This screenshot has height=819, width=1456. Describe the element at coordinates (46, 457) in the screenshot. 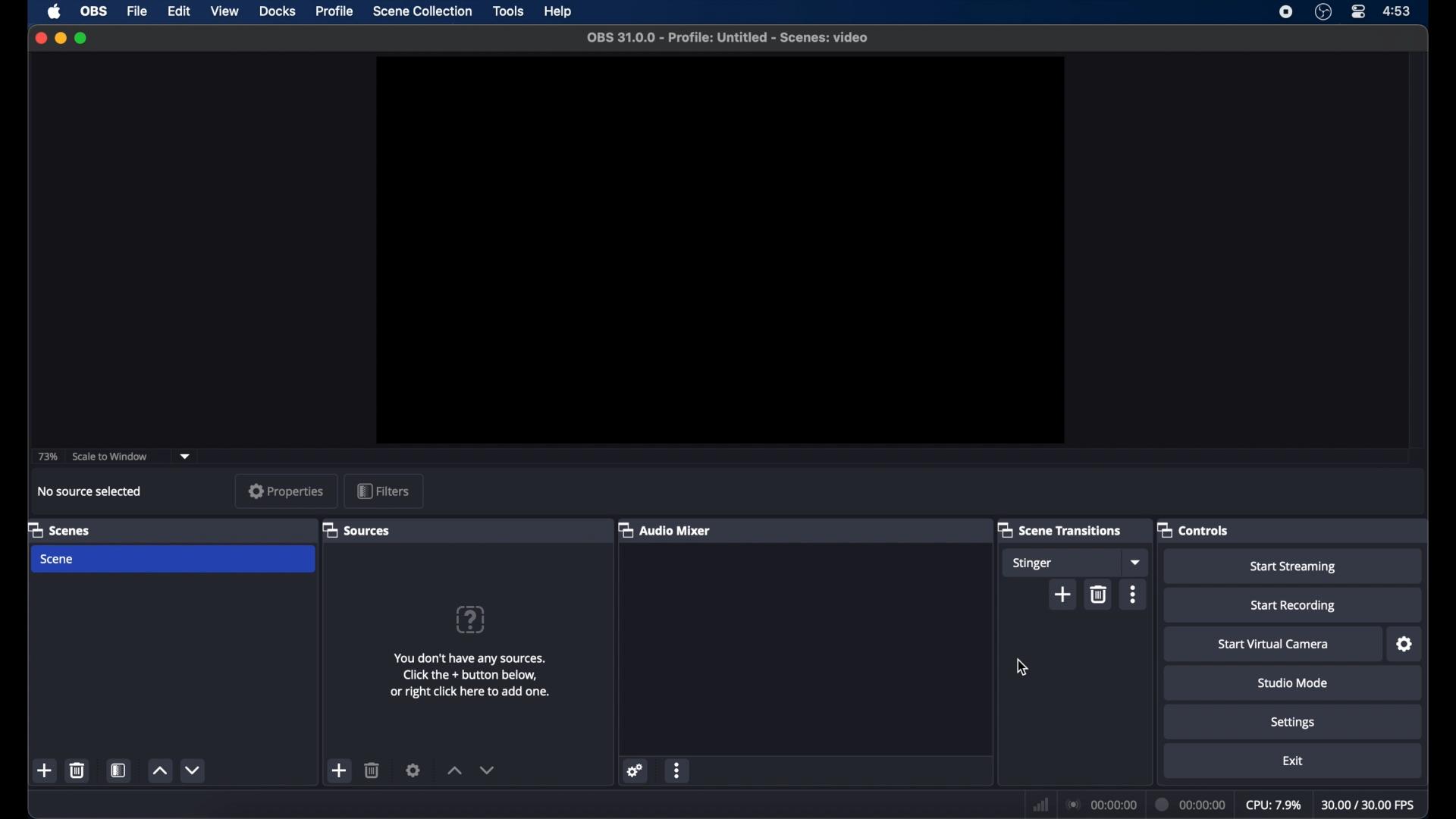

I see `73%` at that location.